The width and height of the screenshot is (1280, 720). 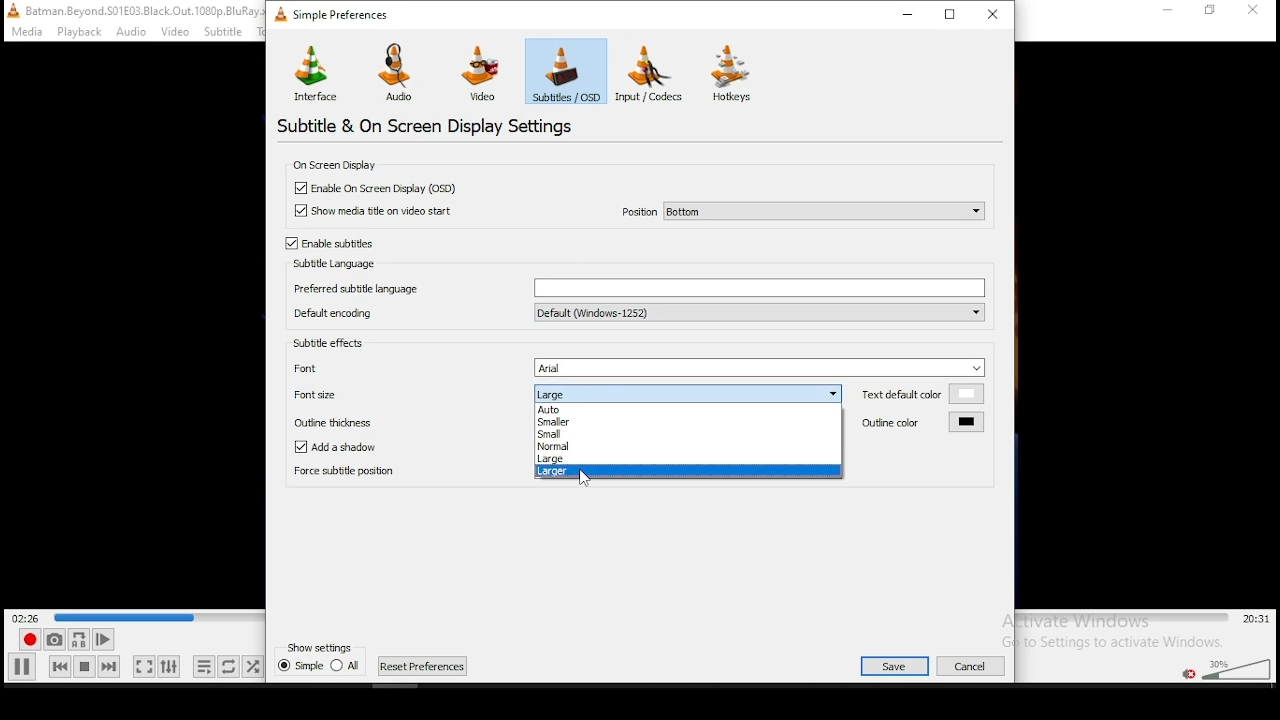 What do you see at coordinates (221, 32) in the screenshot?
I see `subtitle` at bounding box center [221, 32].